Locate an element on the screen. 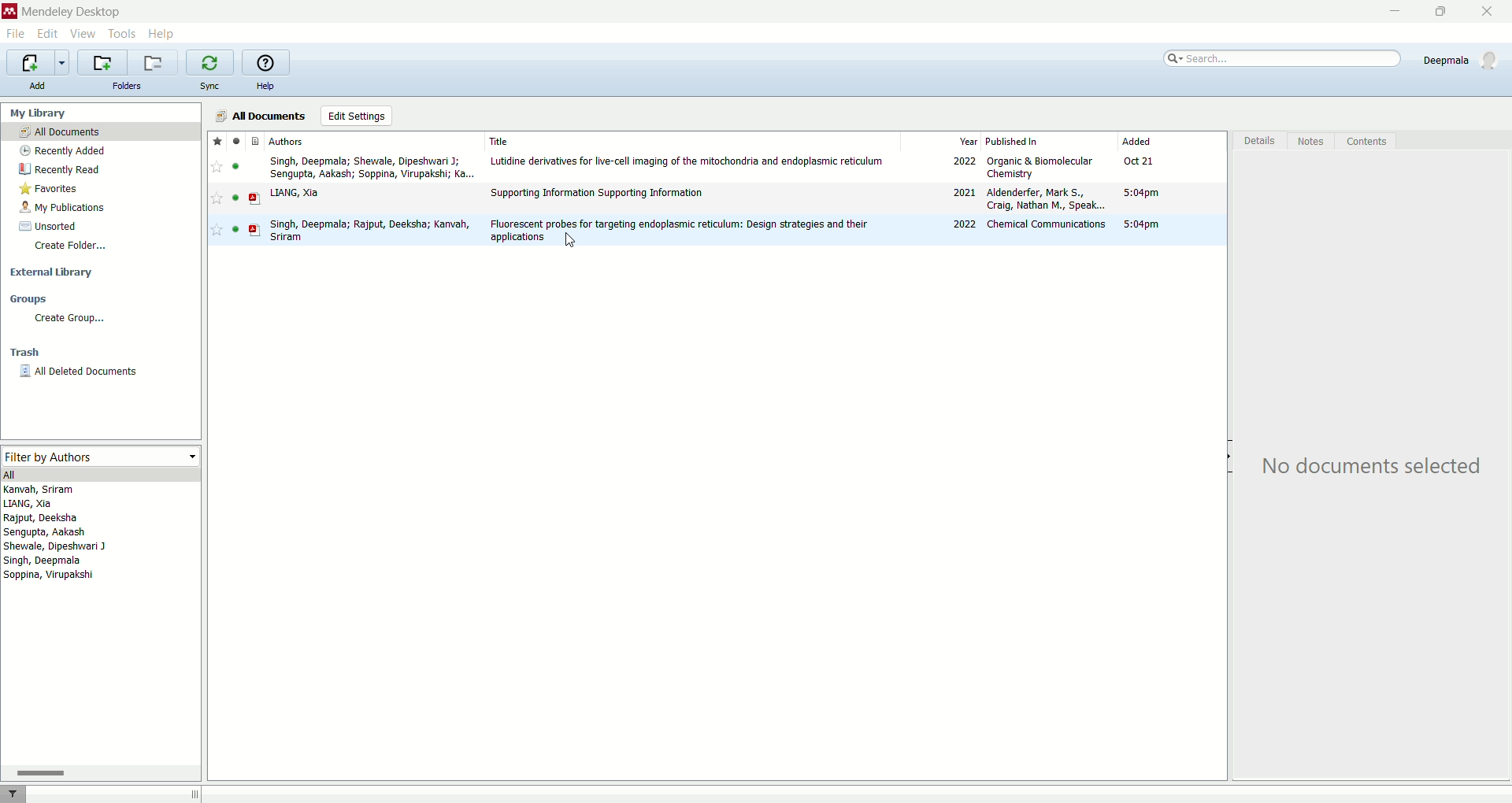 Image resolution: width=1512 pixels, height=803 pixels. mendeley desktop is located at coordinates (72, 11).